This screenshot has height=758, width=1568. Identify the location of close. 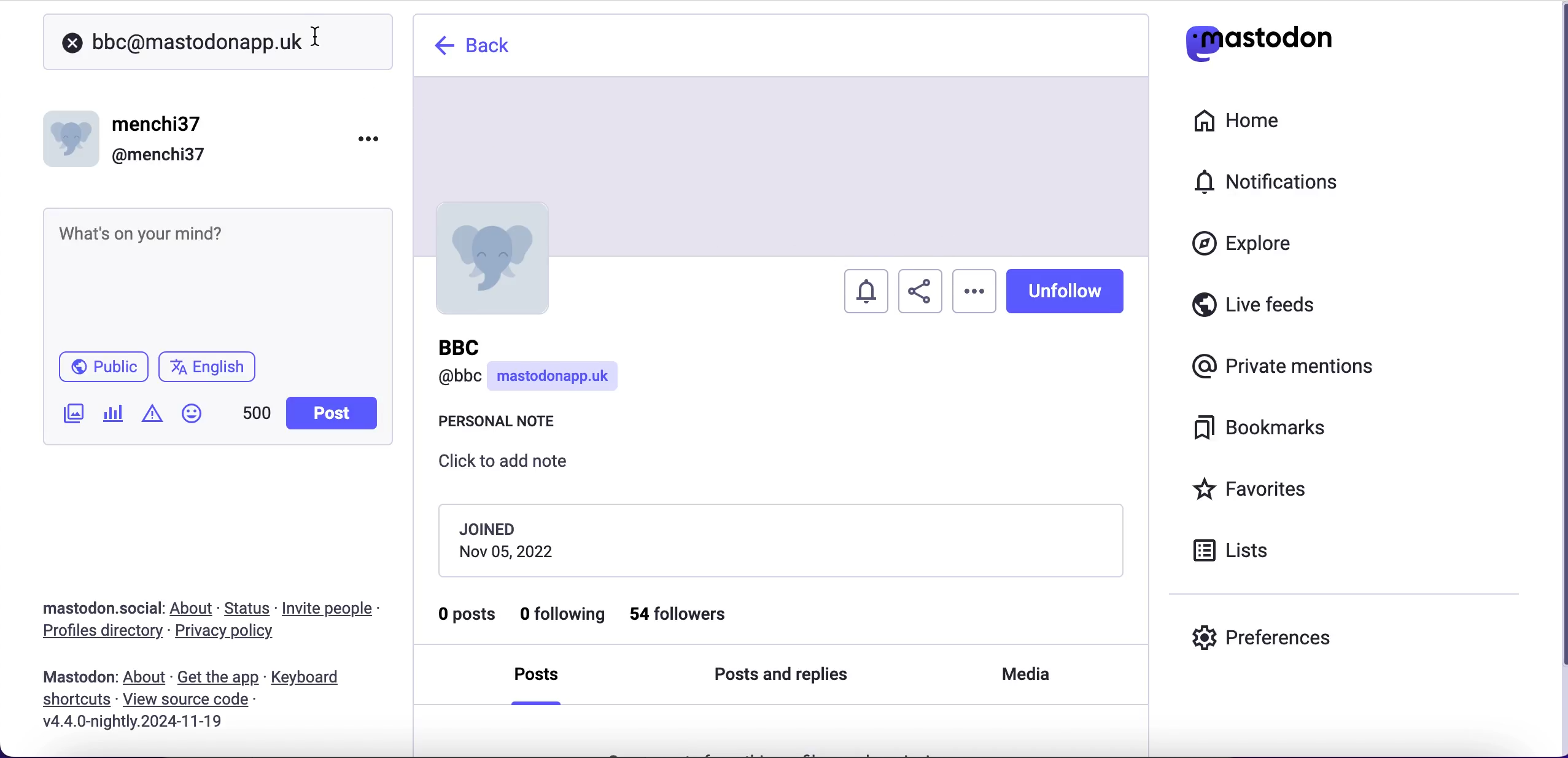
(72, 44).